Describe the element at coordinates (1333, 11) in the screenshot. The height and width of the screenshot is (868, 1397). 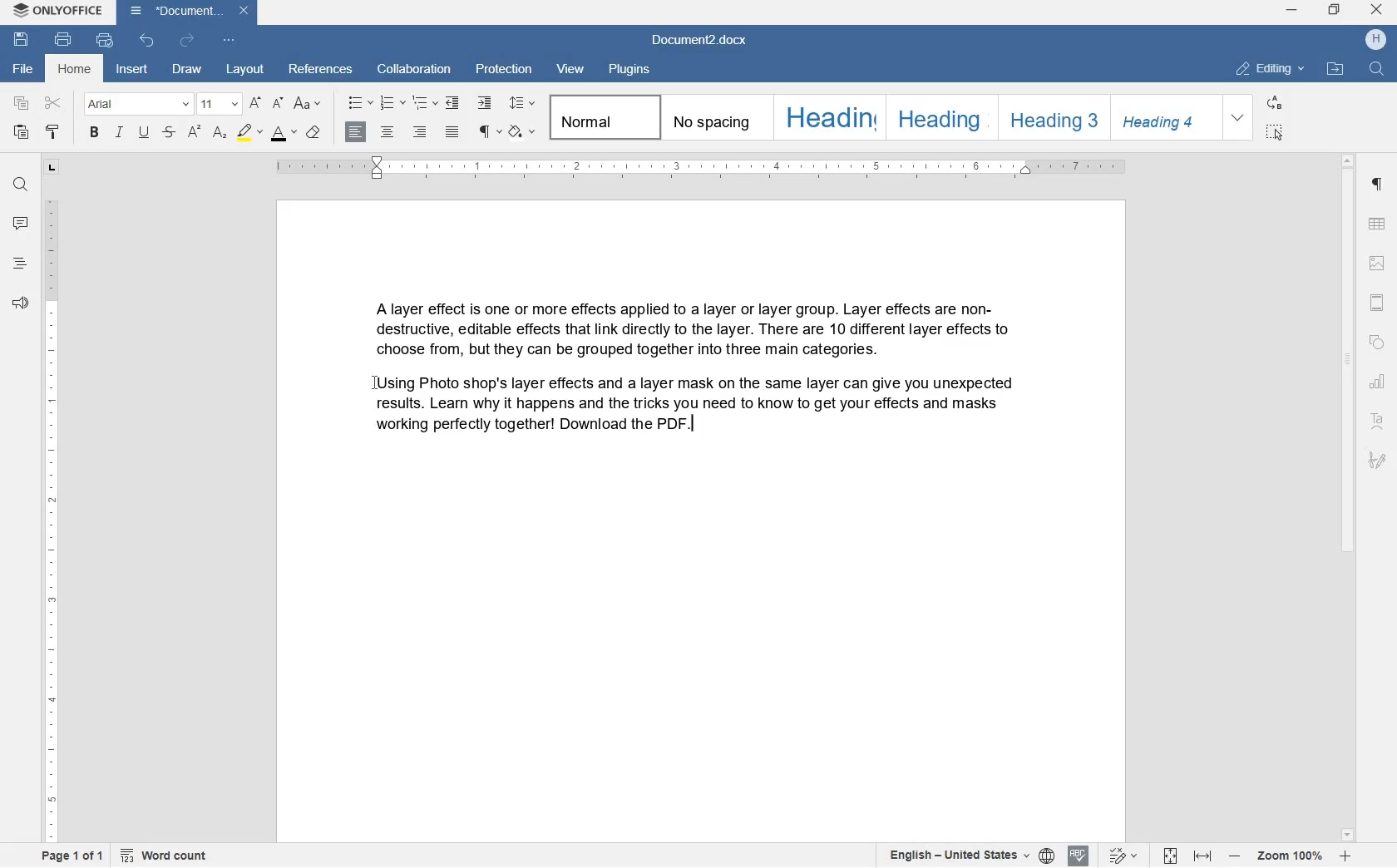
I see `restore` at that location.